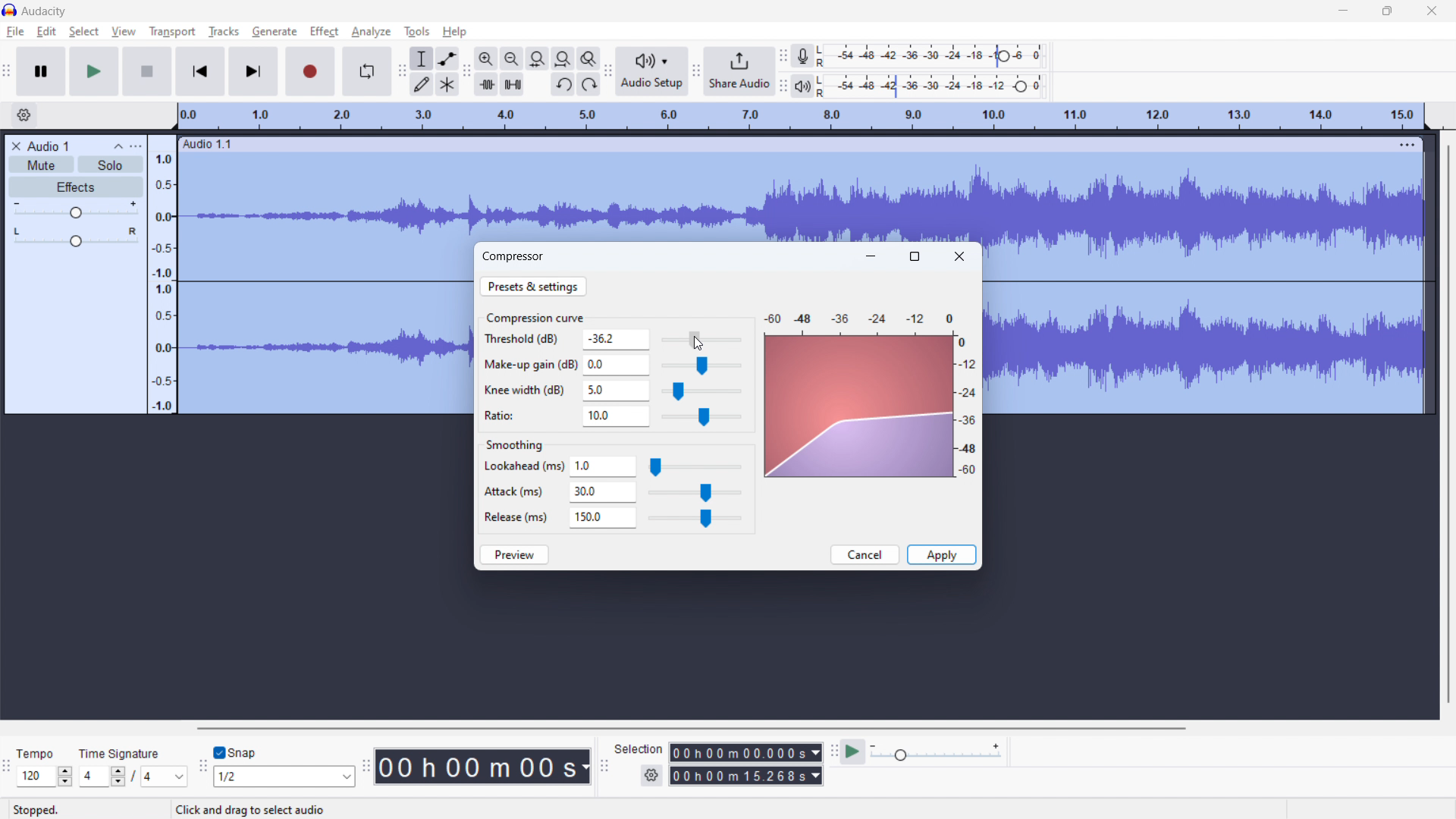  I want to click on record level, so click(943, 56).